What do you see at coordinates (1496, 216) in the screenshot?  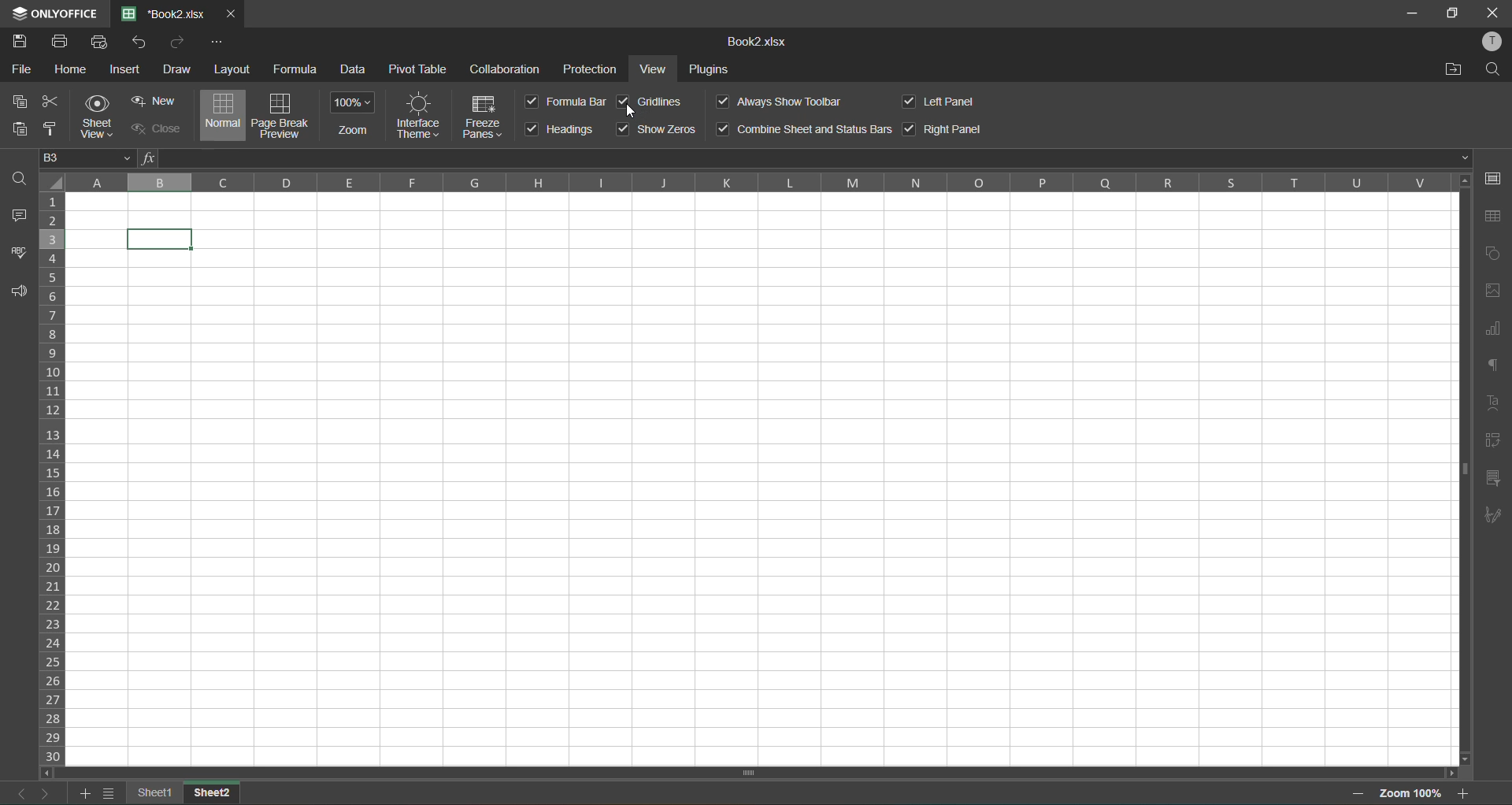 I see `table` at bounding box center [1496, 216].